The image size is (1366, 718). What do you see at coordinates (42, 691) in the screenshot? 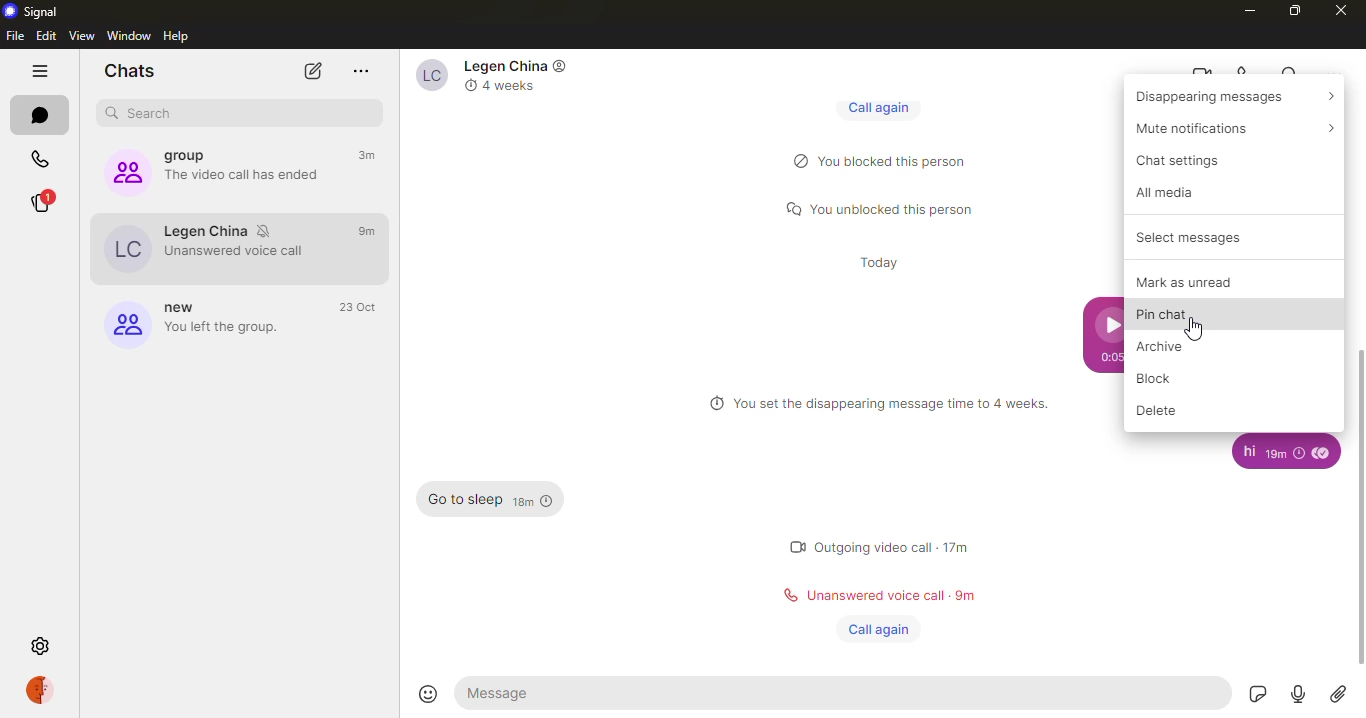
I see `profile` at bounding box center [42, 691].